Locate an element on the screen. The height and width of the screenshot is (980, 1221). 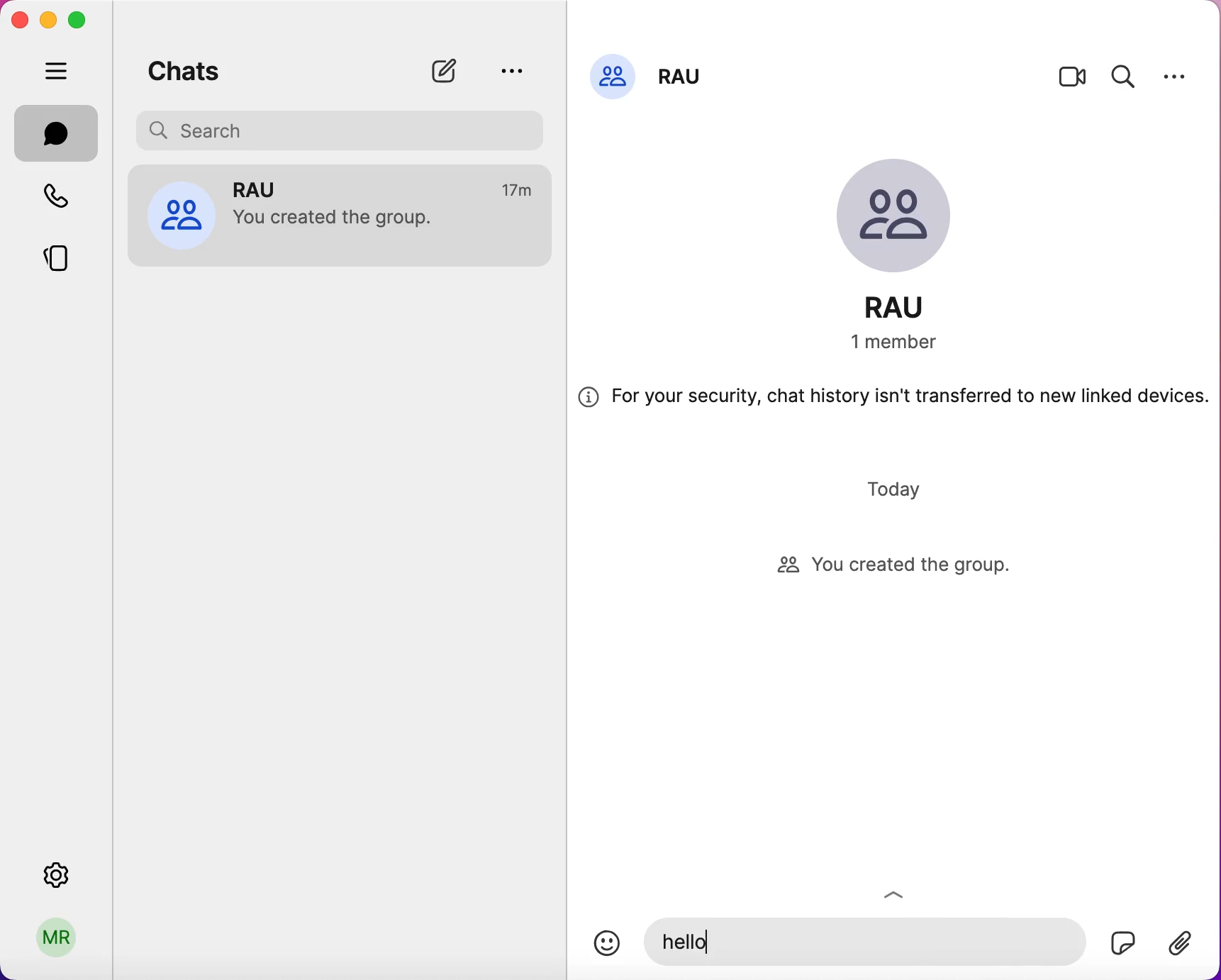
attach is located at coordinates (1187, 945).